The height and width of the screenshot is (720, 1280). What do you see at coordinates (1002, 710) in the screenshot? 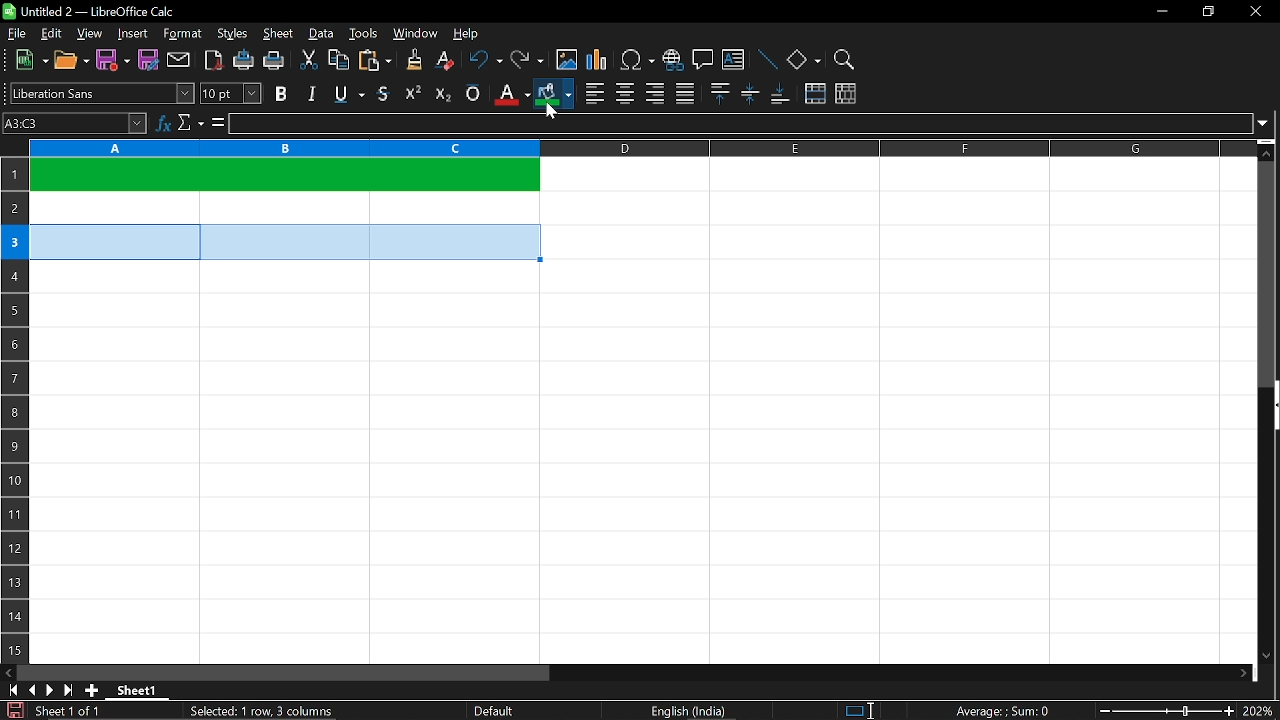
I see `Average:;Sum: 0` at bounding box center [1002, 710].